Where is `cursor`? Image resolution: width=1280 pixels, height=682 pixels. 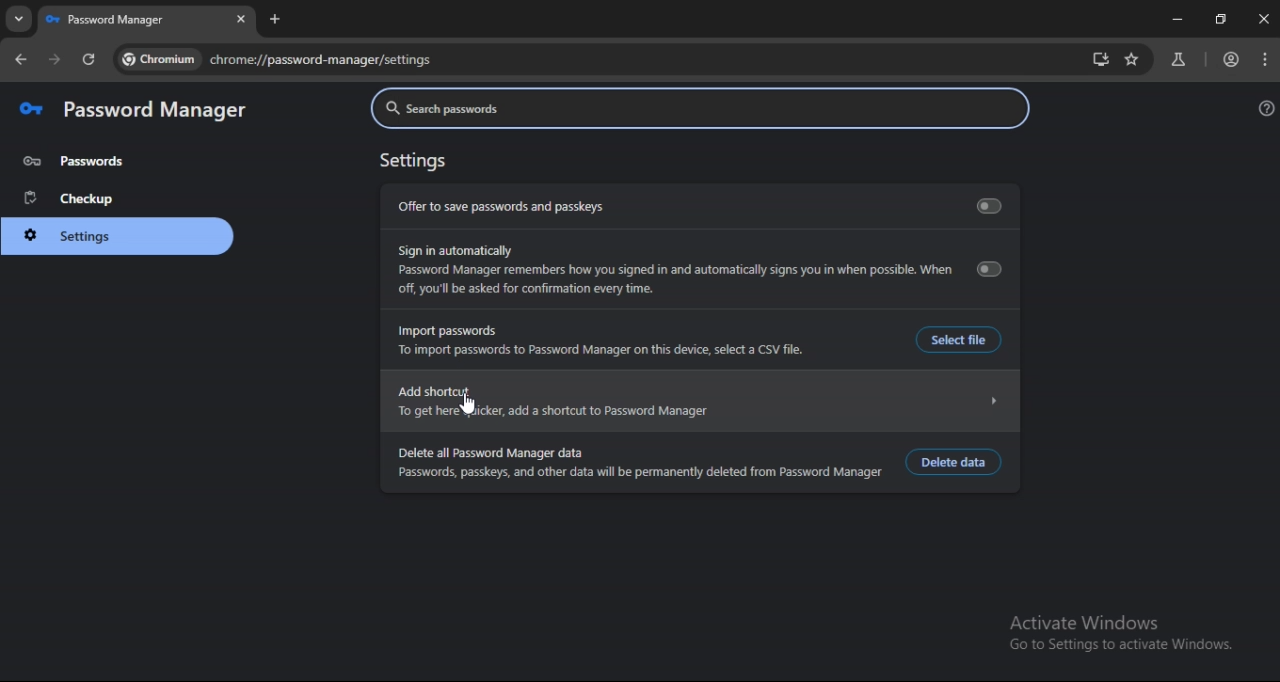
cursor is located at coordinates (468, 405).